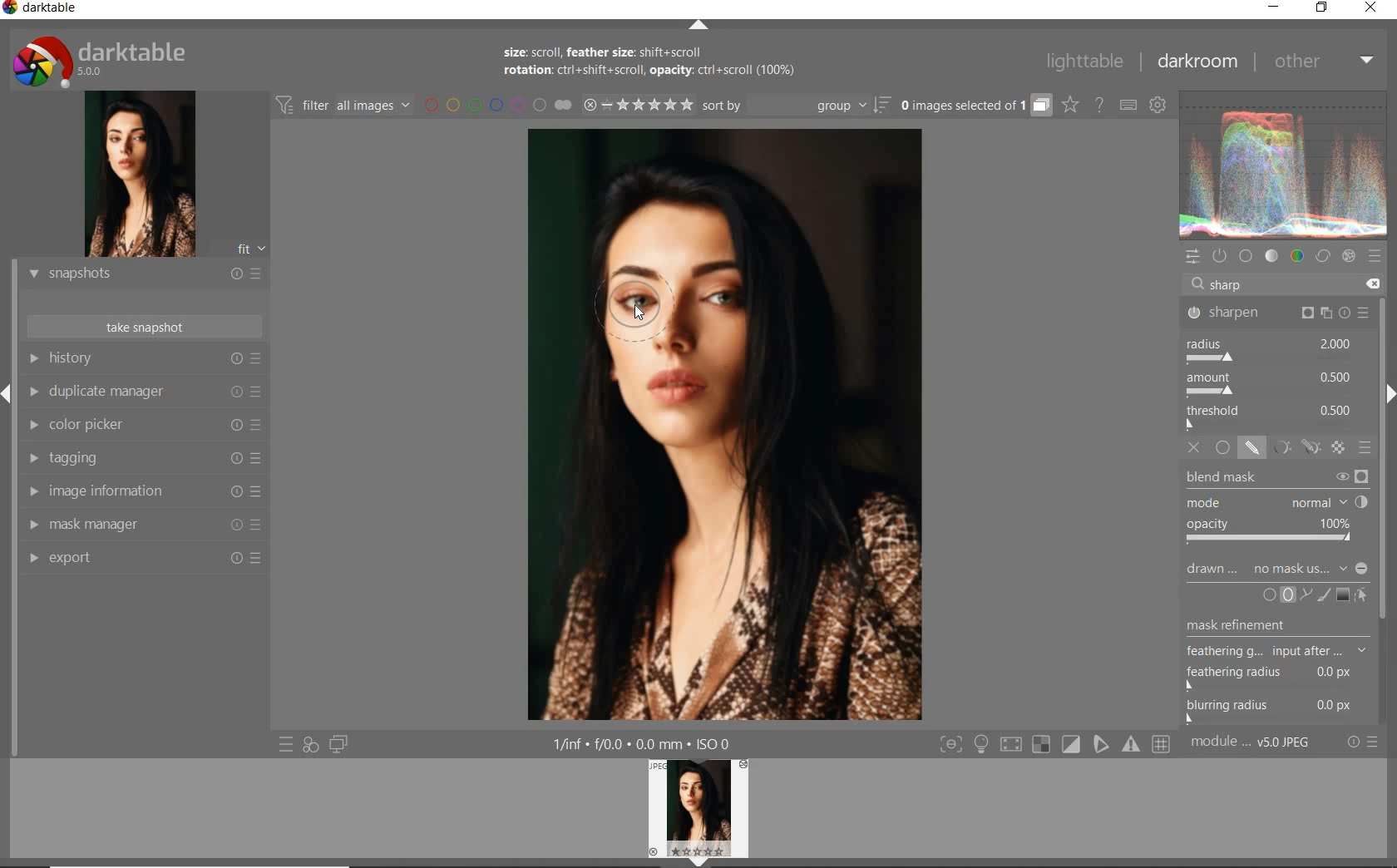 Image resolution: width=1397 pixels, height=868 pixels. I want to click on darkroom, so click(1193, 60).